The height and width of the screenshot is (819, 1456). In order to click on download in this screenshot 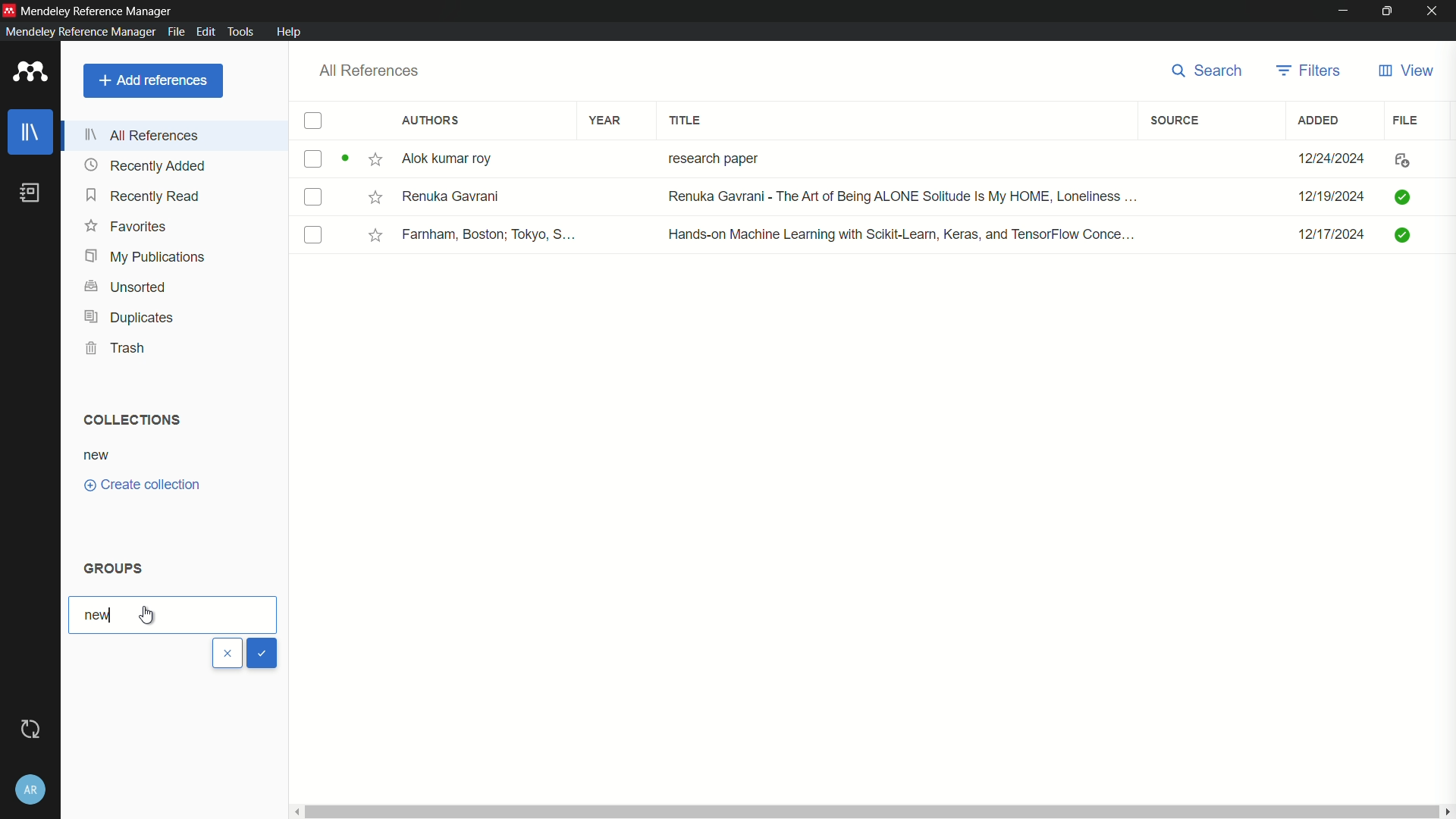, I will do `click(1398, 162)`.